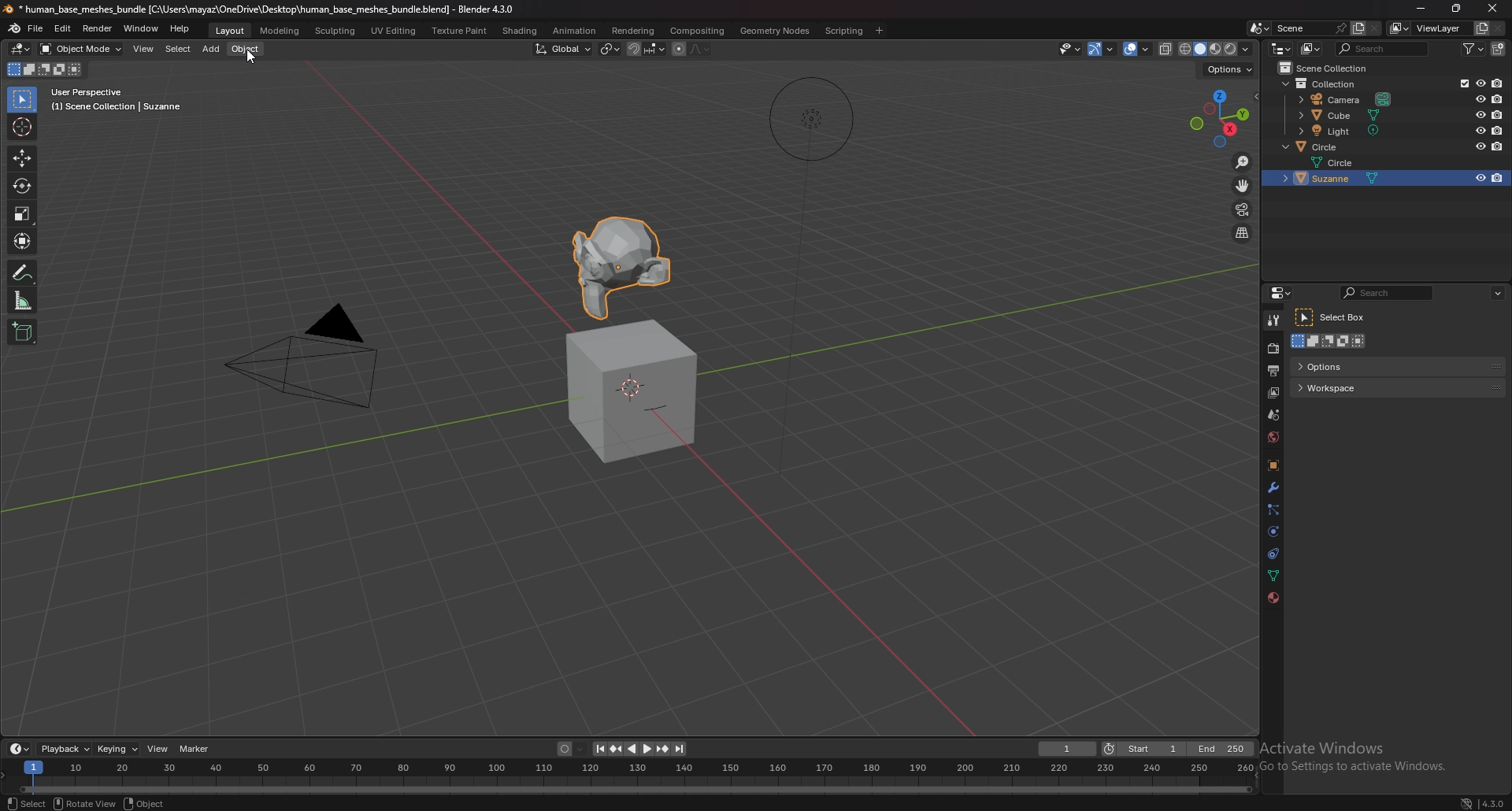  Describe the element at coordinates (82, 804) in the screenshot. I see `rotate` at that location.